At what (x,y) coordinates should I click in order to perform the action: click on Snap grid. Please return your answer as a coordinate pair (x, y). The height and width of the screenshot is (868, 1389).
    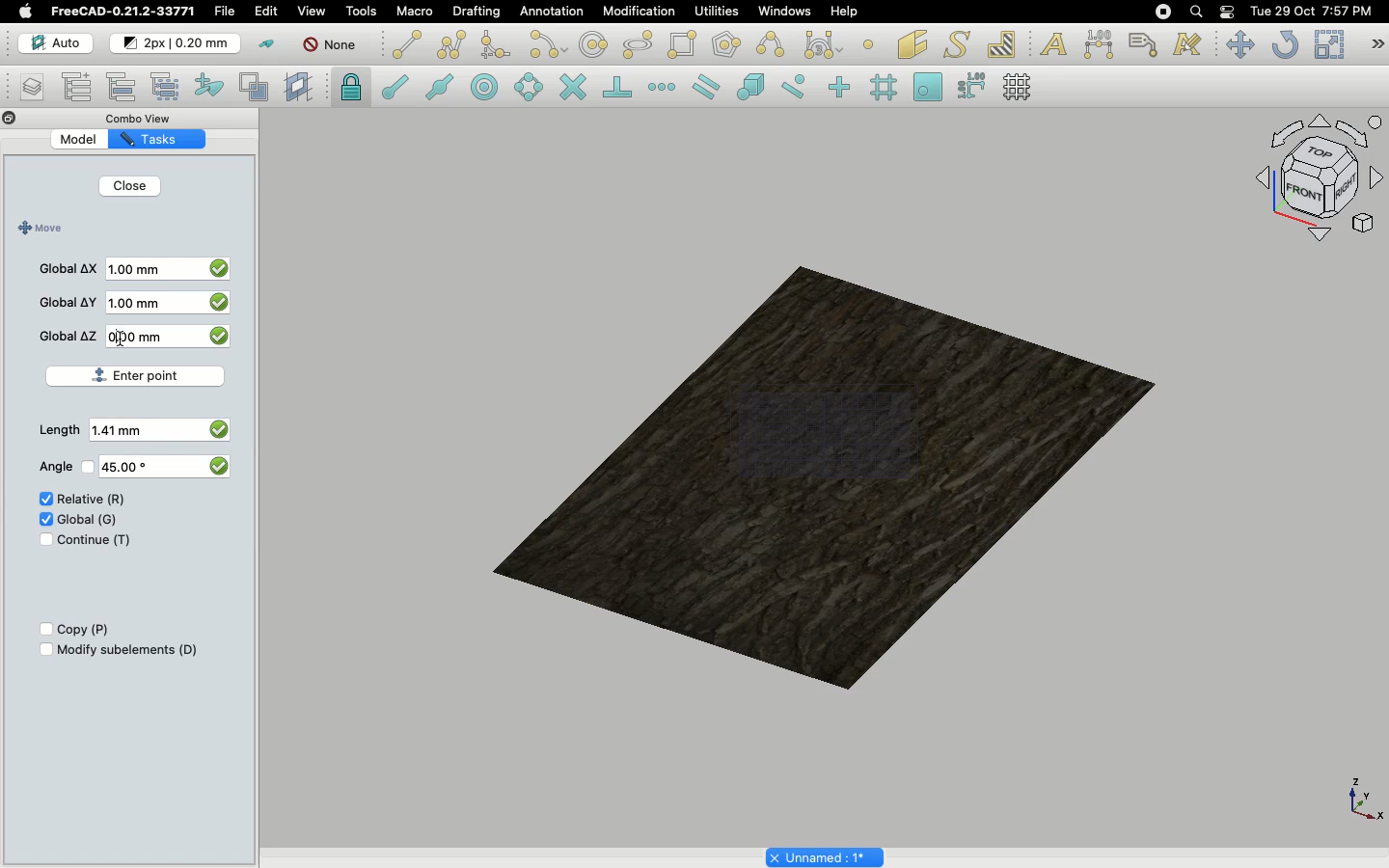
    Looking at the image, I should click on (885, 88).